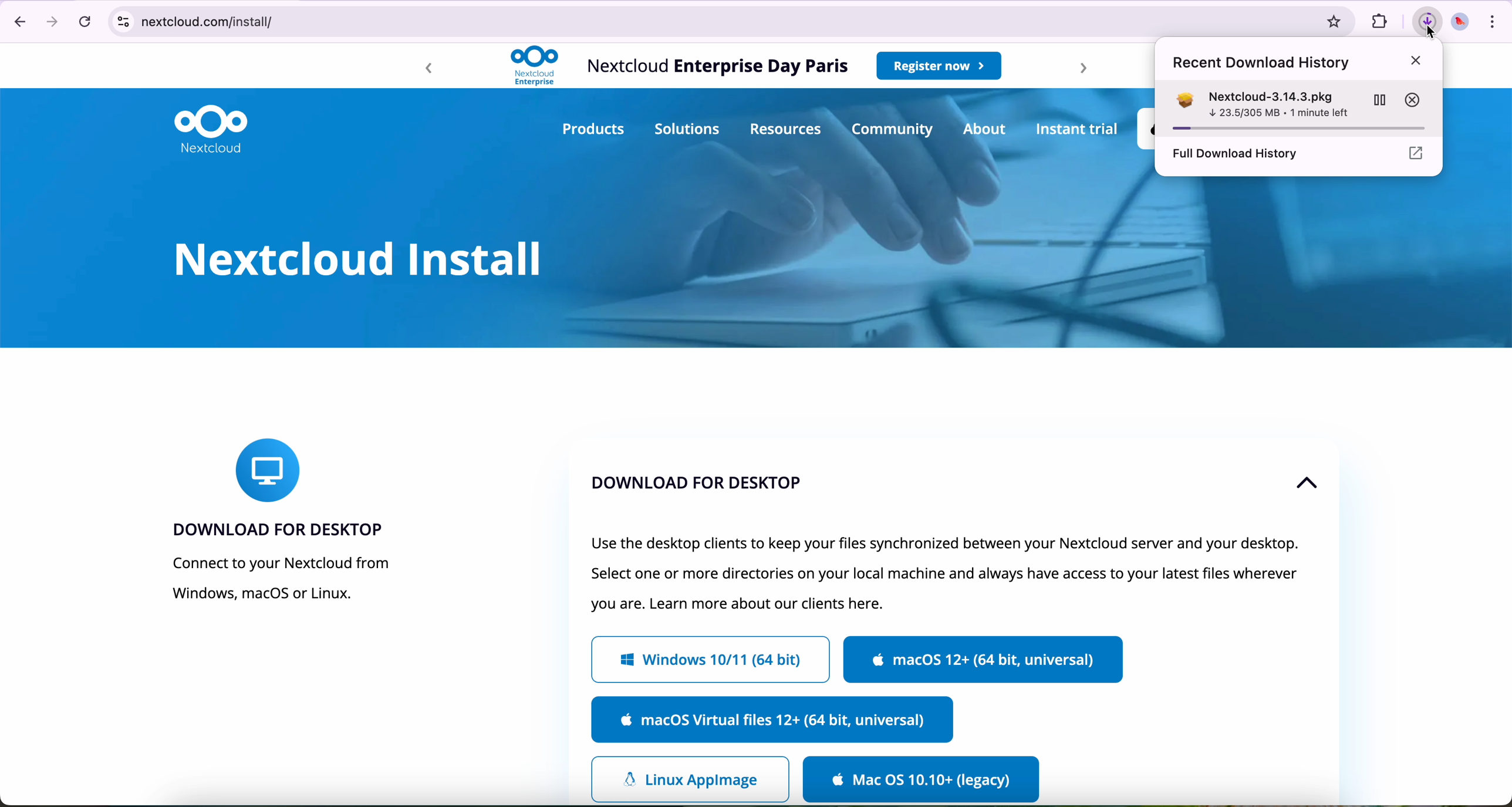 This screenshot has height=807, width=1512. What do you see at coordinates (1301, 63) in the screenshot?
I see `recent download history` at bounding box center [1301, 63].